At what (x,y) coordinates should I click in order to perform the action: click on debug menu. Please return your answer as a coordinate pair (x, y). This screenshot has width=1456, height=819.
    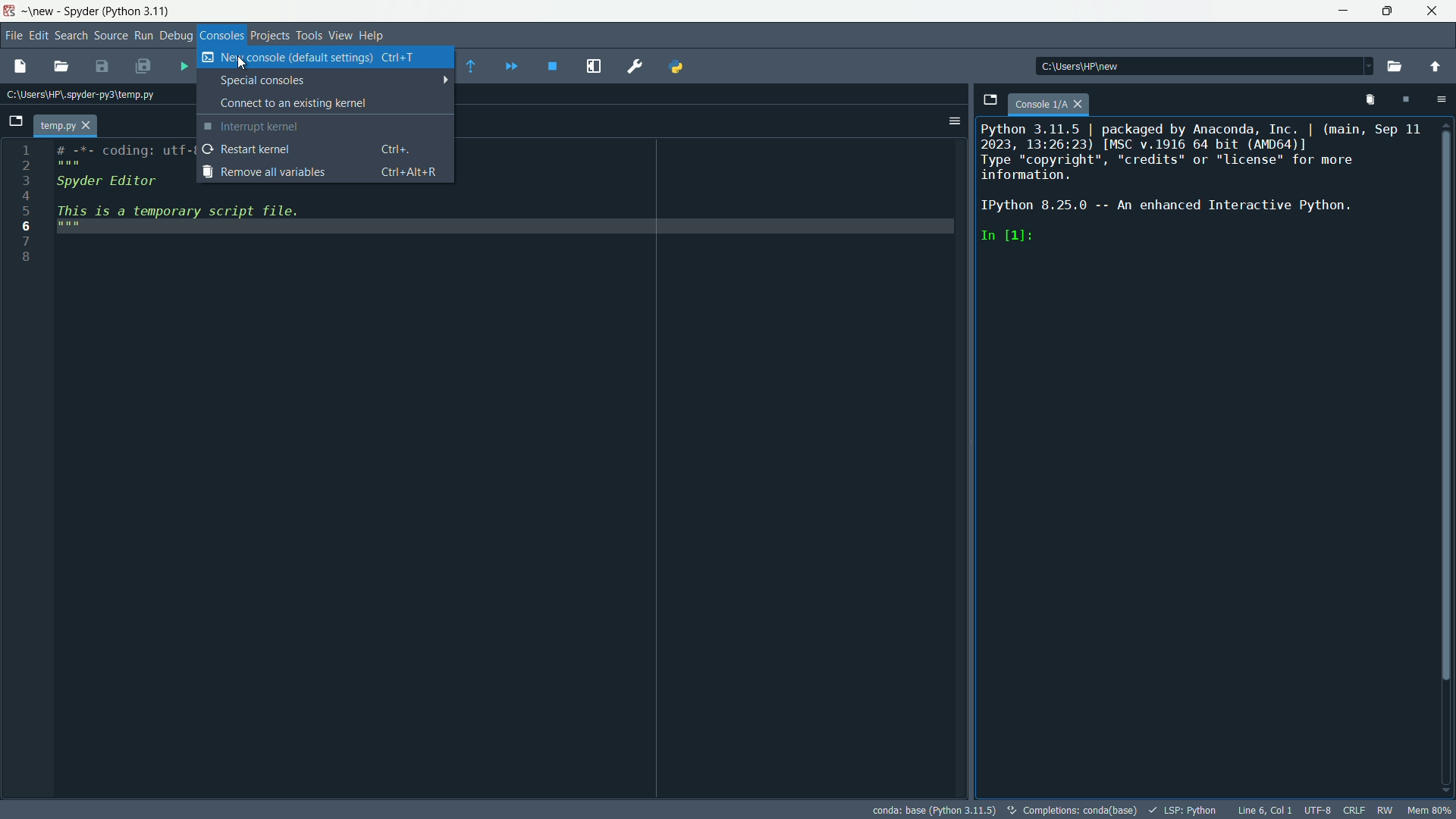
    Looking at the image, I should click on (176, 36).